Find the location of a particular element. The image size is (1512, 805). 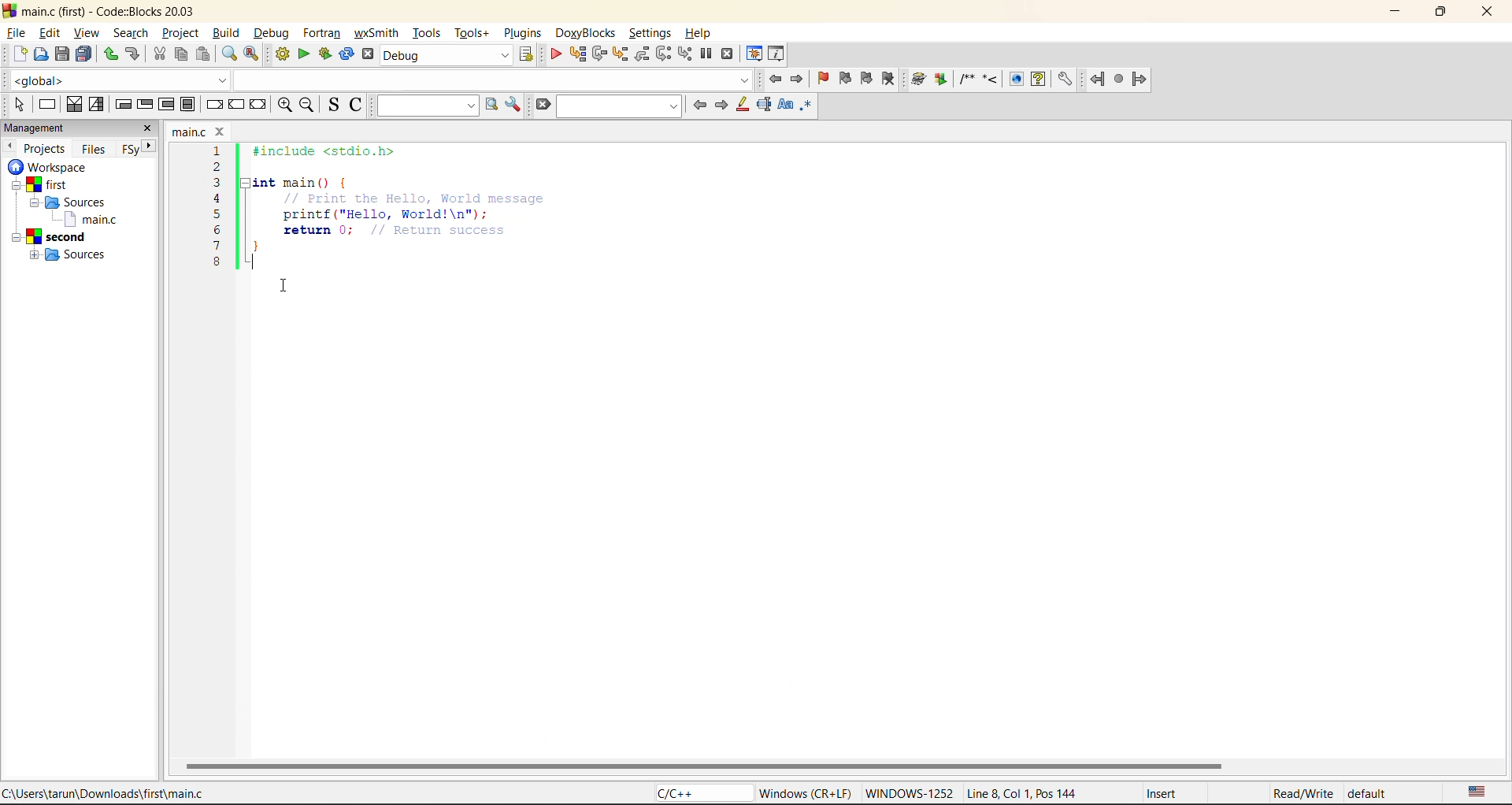

build is located at coordinates (229, 33).